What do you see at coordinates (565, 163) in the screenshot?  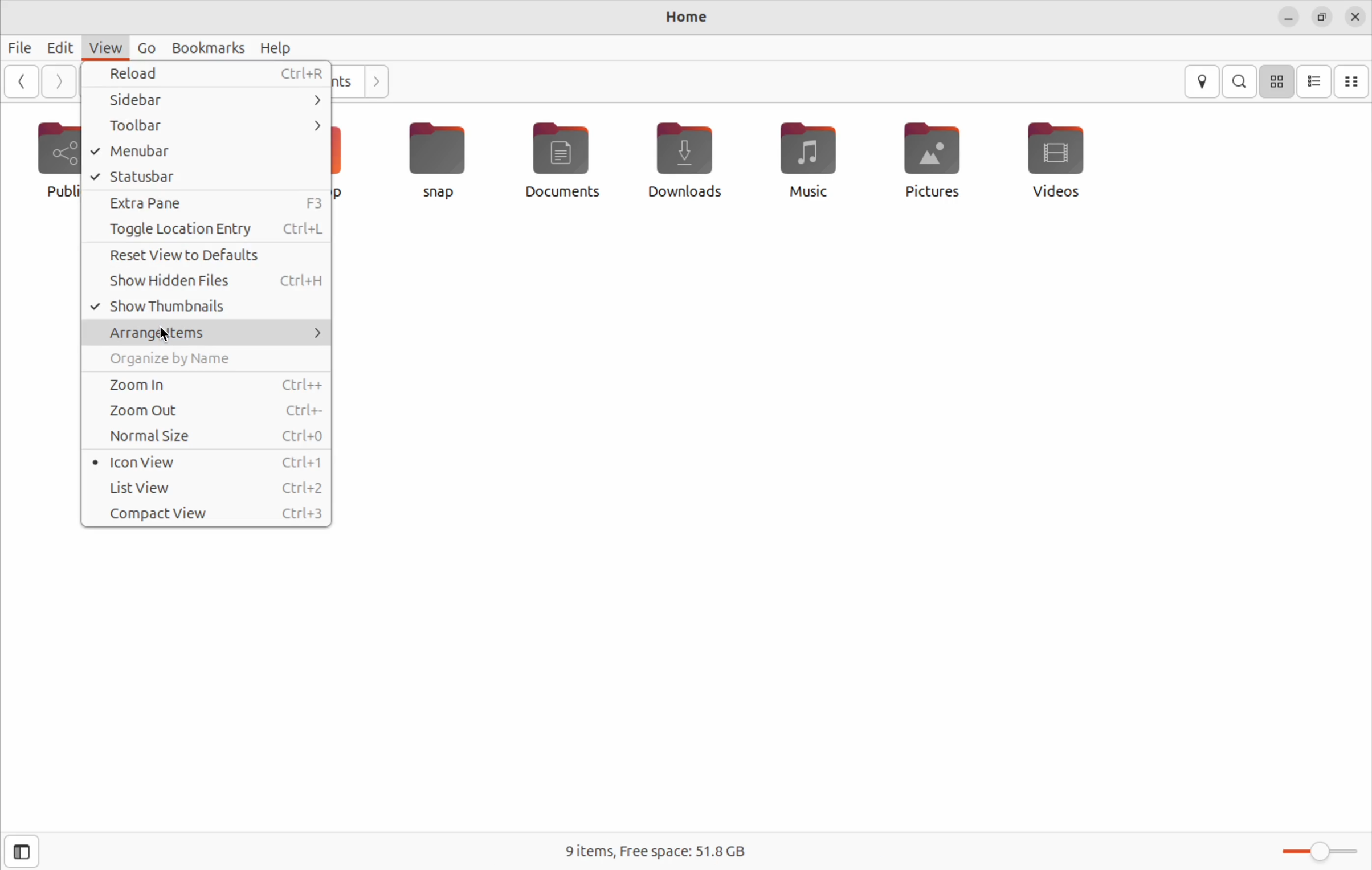 I see `documents` at bounding box center [565, 163].